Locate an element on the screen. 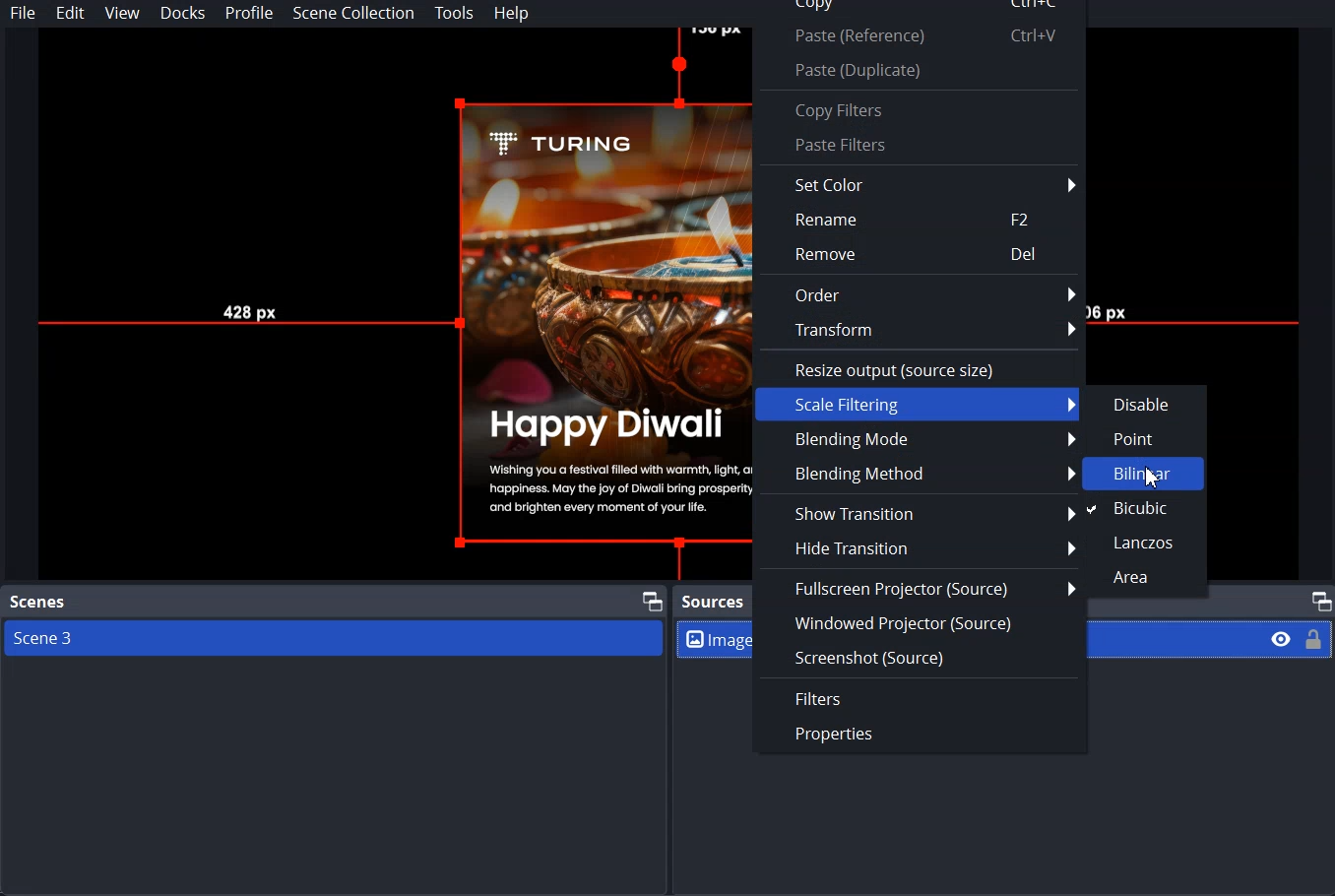 The height and width of the screenshot is (896, 1335). Lanczos is located at coordinates (1143, 539).